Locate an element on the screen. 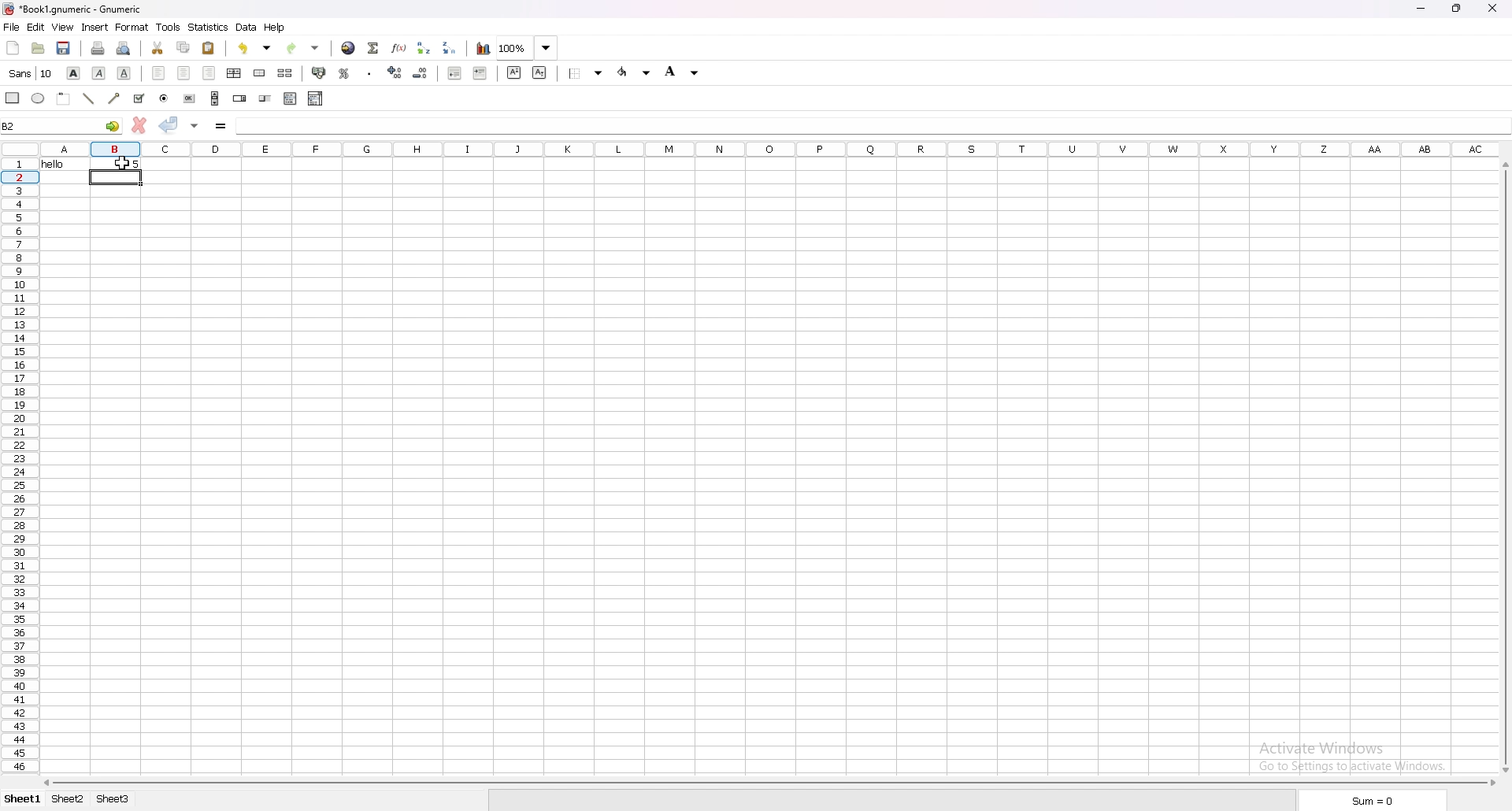 The width and height of the screenshot is (1512, 811). sum is located at coordinates (372, 47).